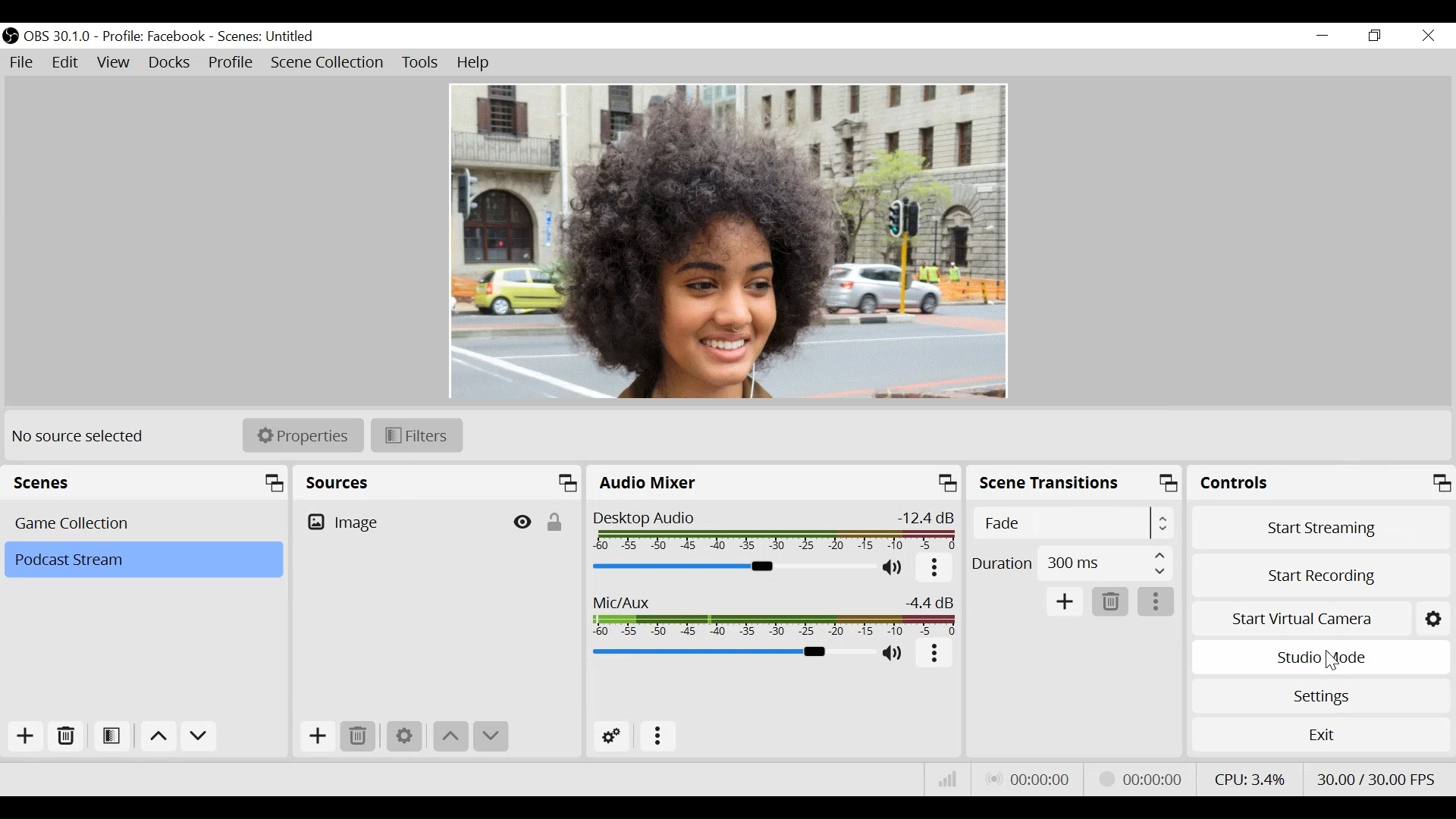  Describe the element at coordinates (1320, 482) in the screenshot. I see `Controls` at that location.